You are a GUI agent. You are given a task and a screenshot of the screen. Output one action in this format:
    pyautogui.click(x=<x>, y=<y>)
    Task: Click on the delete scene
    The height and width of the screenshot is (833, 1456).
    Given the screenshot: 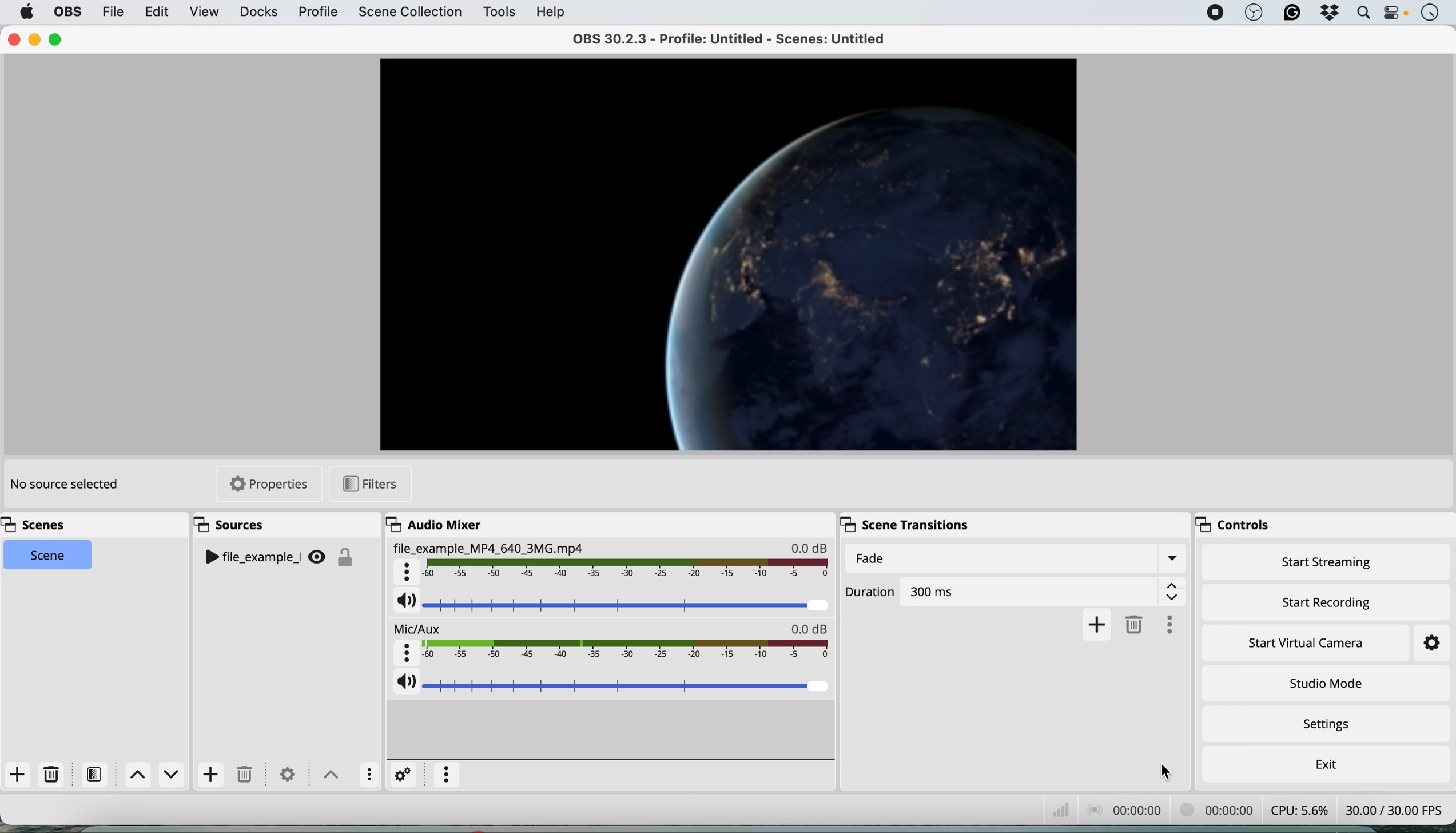 What is the action you would take?
    pyautogui.click(x=52, y=775)
    